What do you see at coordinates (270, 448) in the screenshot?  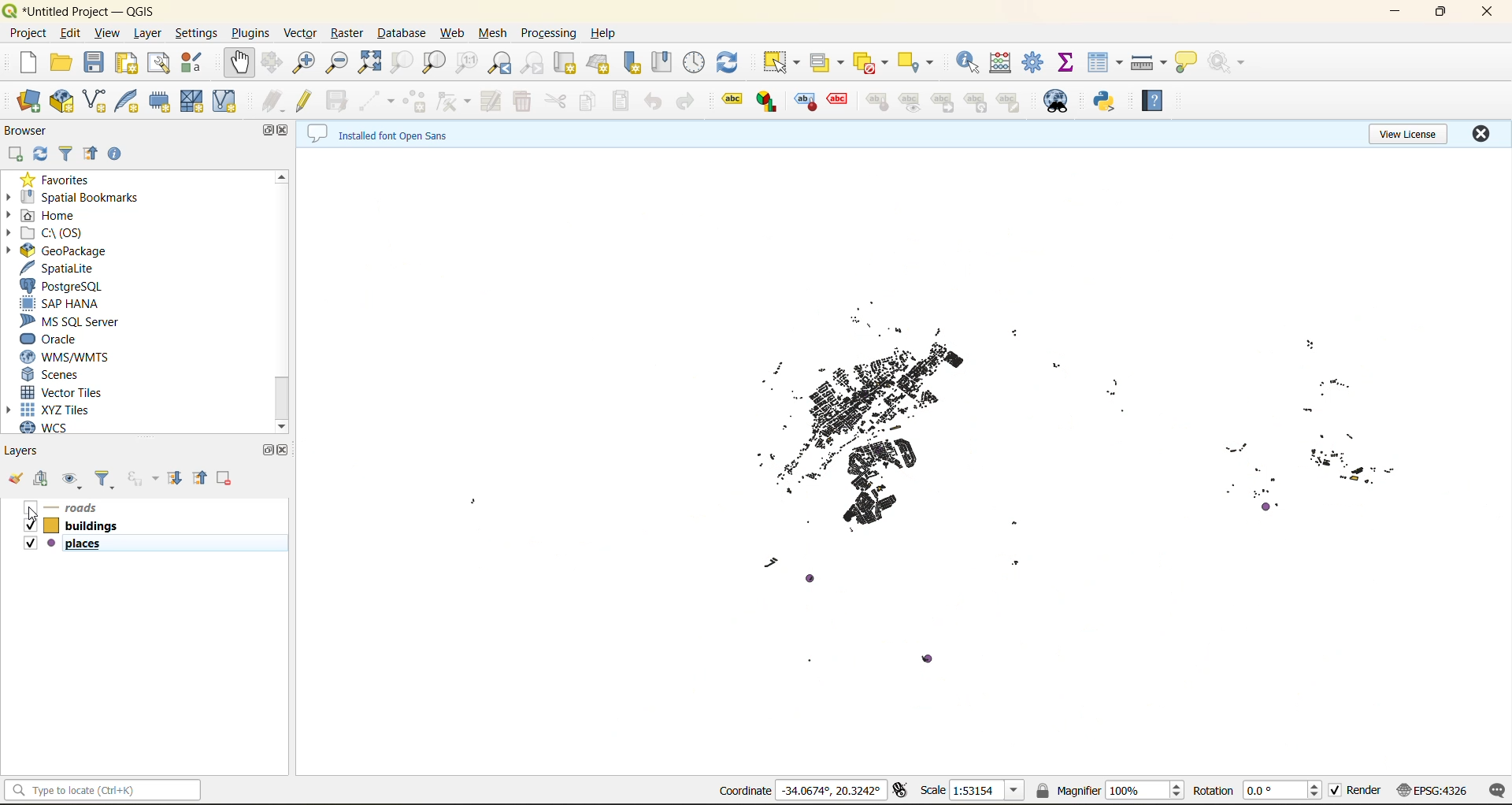 I see `maximize` at bounding box center [270, 448].